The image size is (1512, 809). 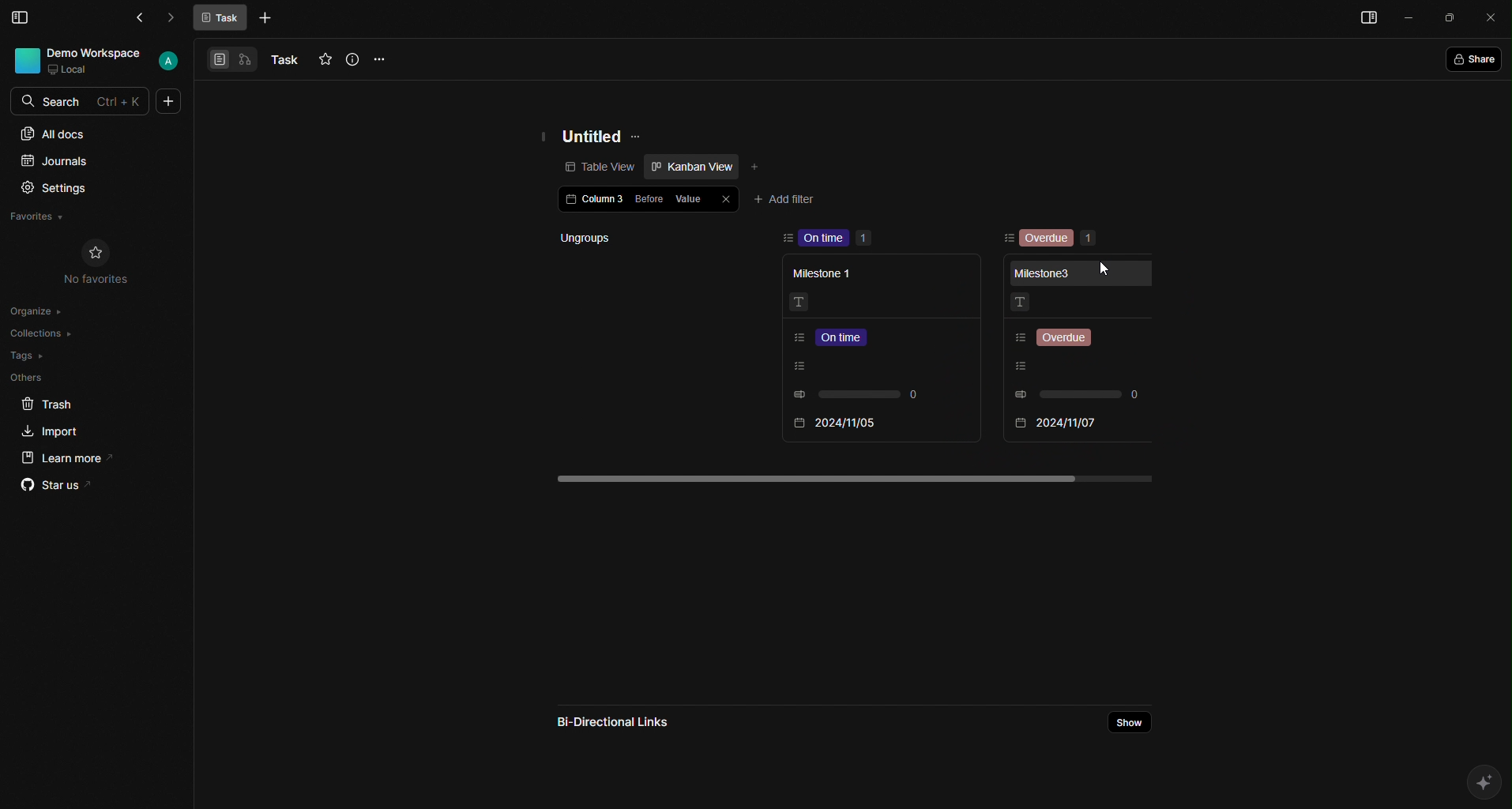 What do you see at coordinates (51, 487) in the screenshot?
I see `Star us` at bounding box center [51, 487].